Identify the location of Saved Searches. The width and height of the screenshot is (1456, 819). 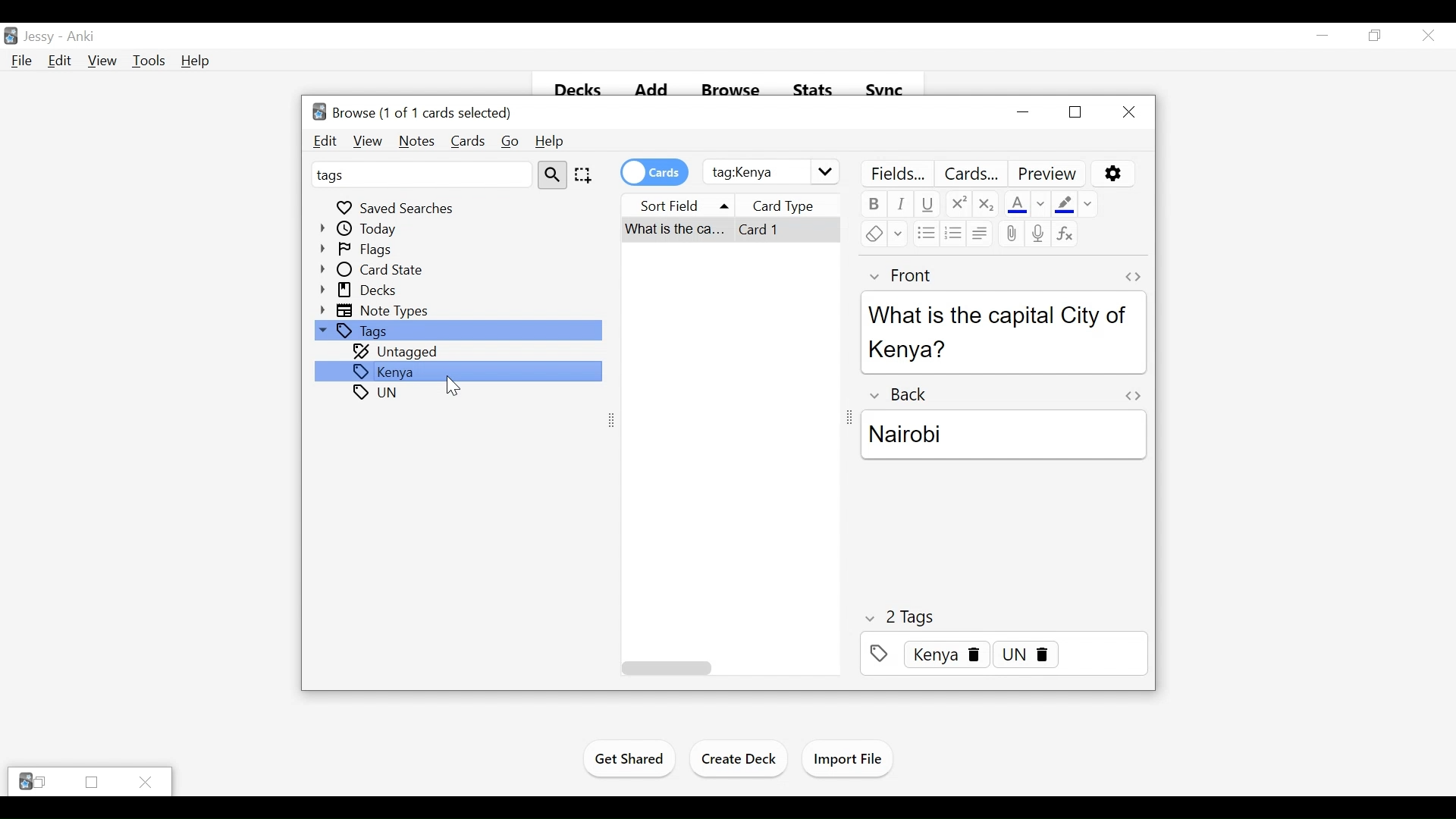
(397, 206).